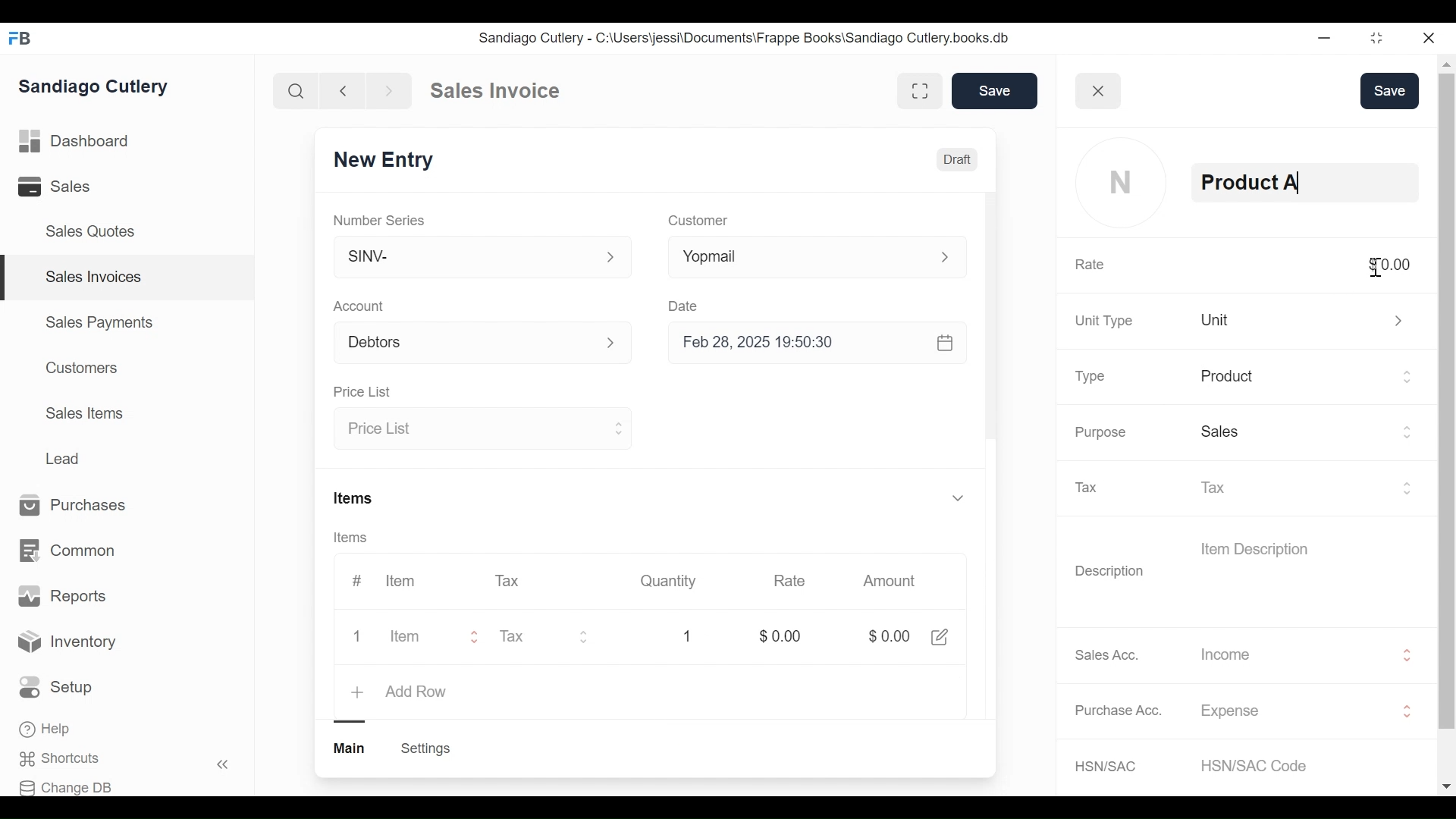 This screenshot has width=1456, height=819. What do you see at coordinates (1093, 378) in the screenshot?
I see `Type` at bounding box center [1093, 378].